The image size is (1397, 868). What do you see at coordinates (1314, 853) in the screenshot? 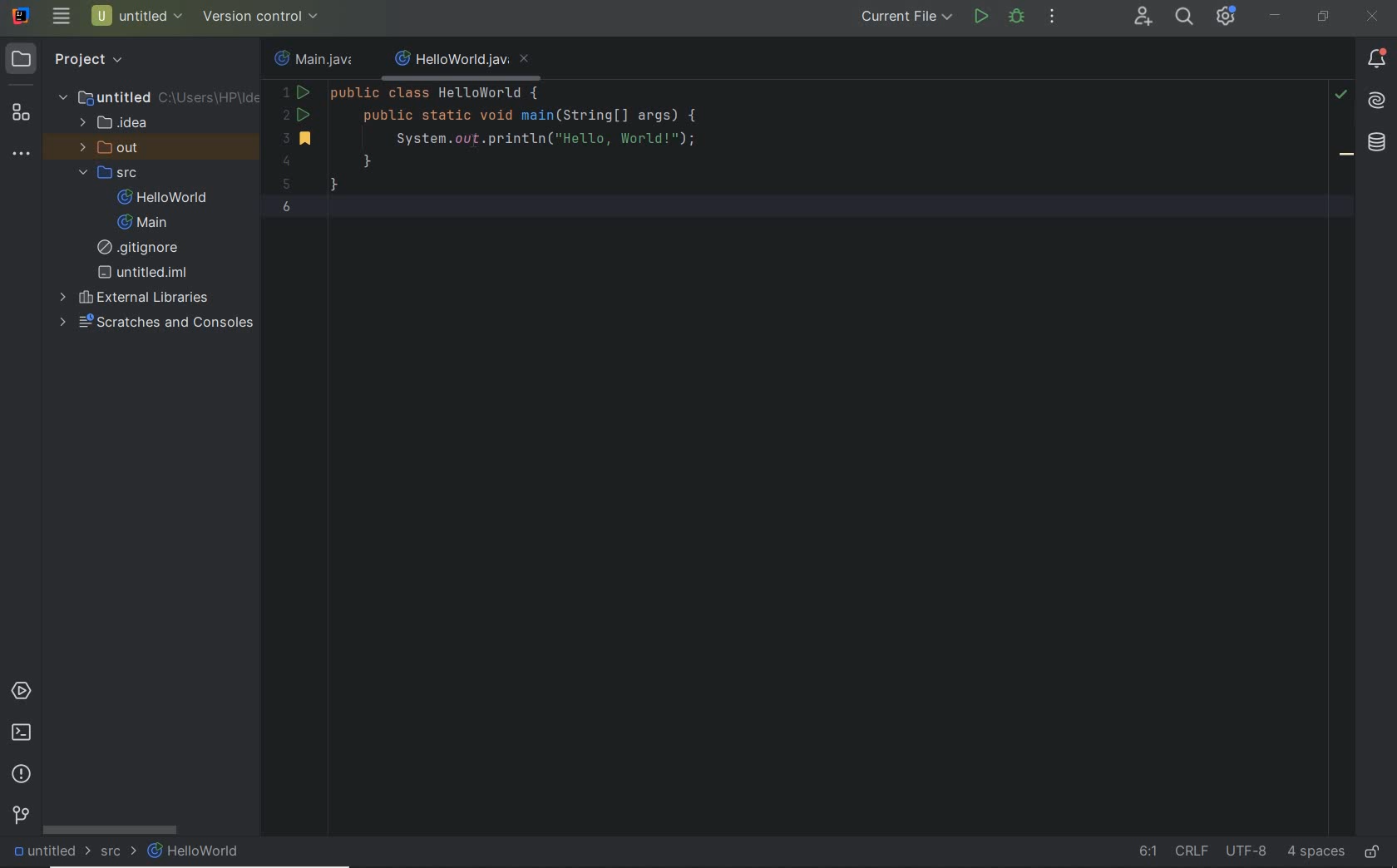
I see `4 spaces(indent)` at bounding box center [1314, 853].